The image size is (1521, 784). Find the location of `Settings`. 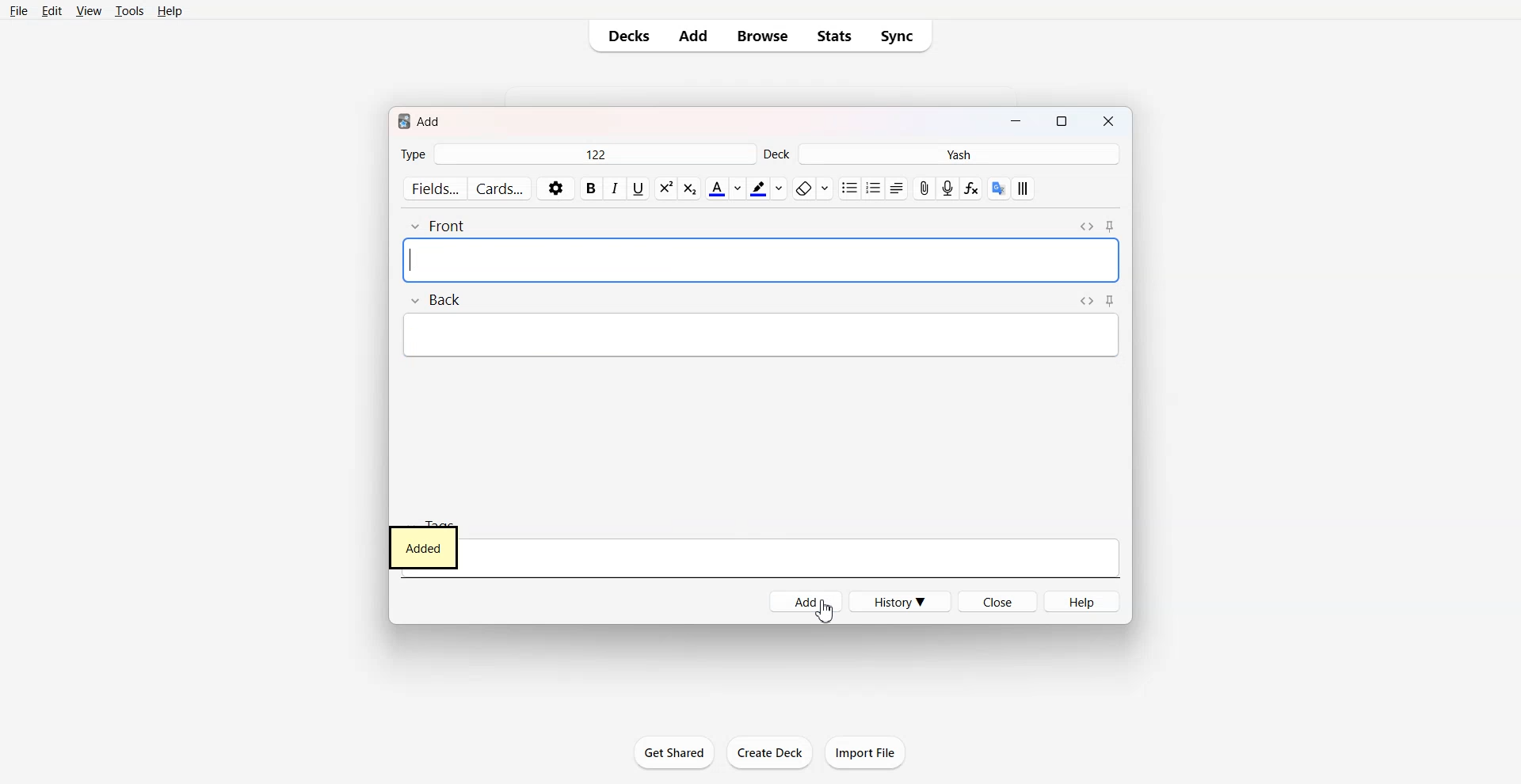

Settings is located at coordinates (556, 188).